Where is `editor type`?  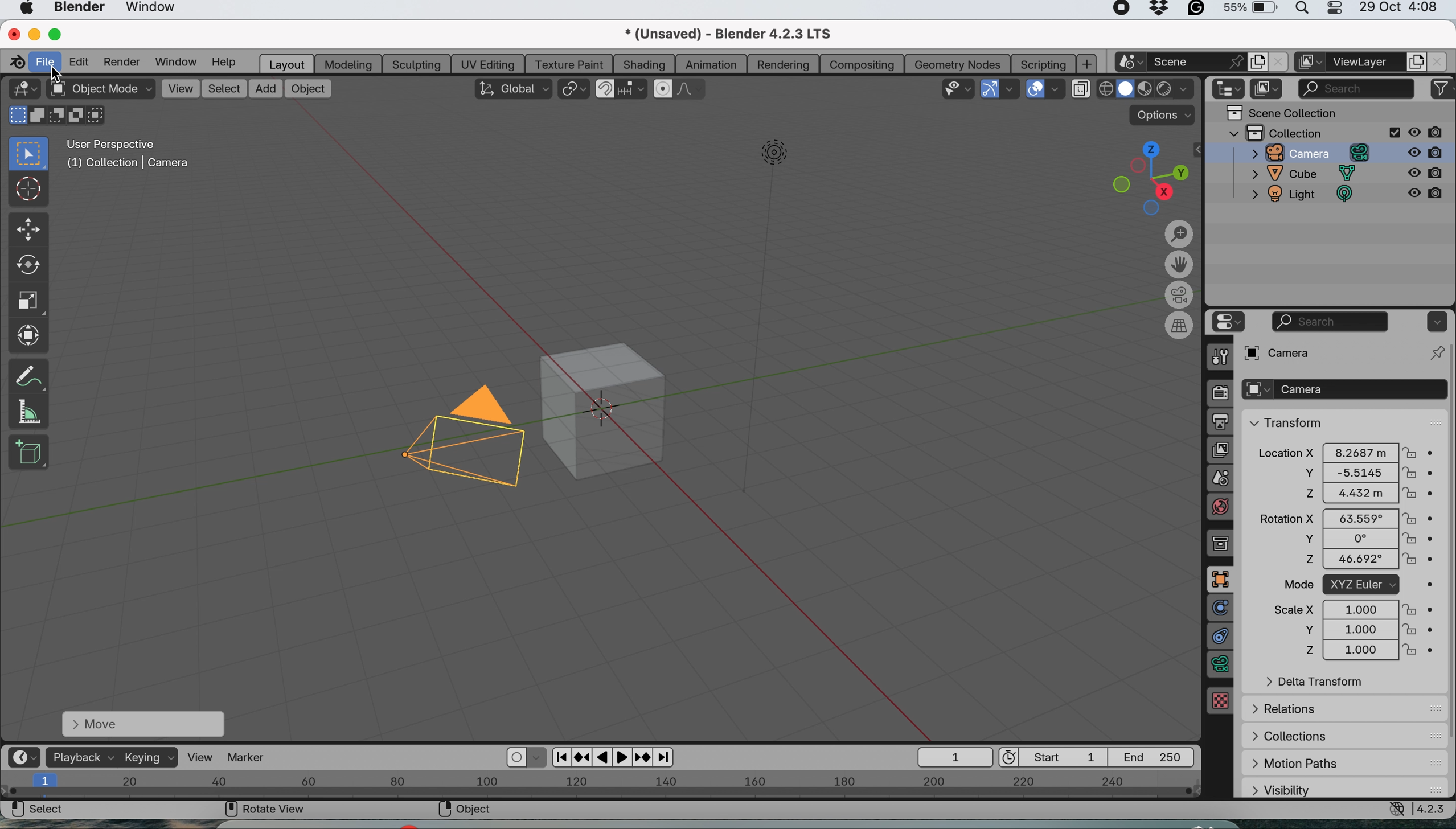 editor type is located at coordinates (1230, 89).